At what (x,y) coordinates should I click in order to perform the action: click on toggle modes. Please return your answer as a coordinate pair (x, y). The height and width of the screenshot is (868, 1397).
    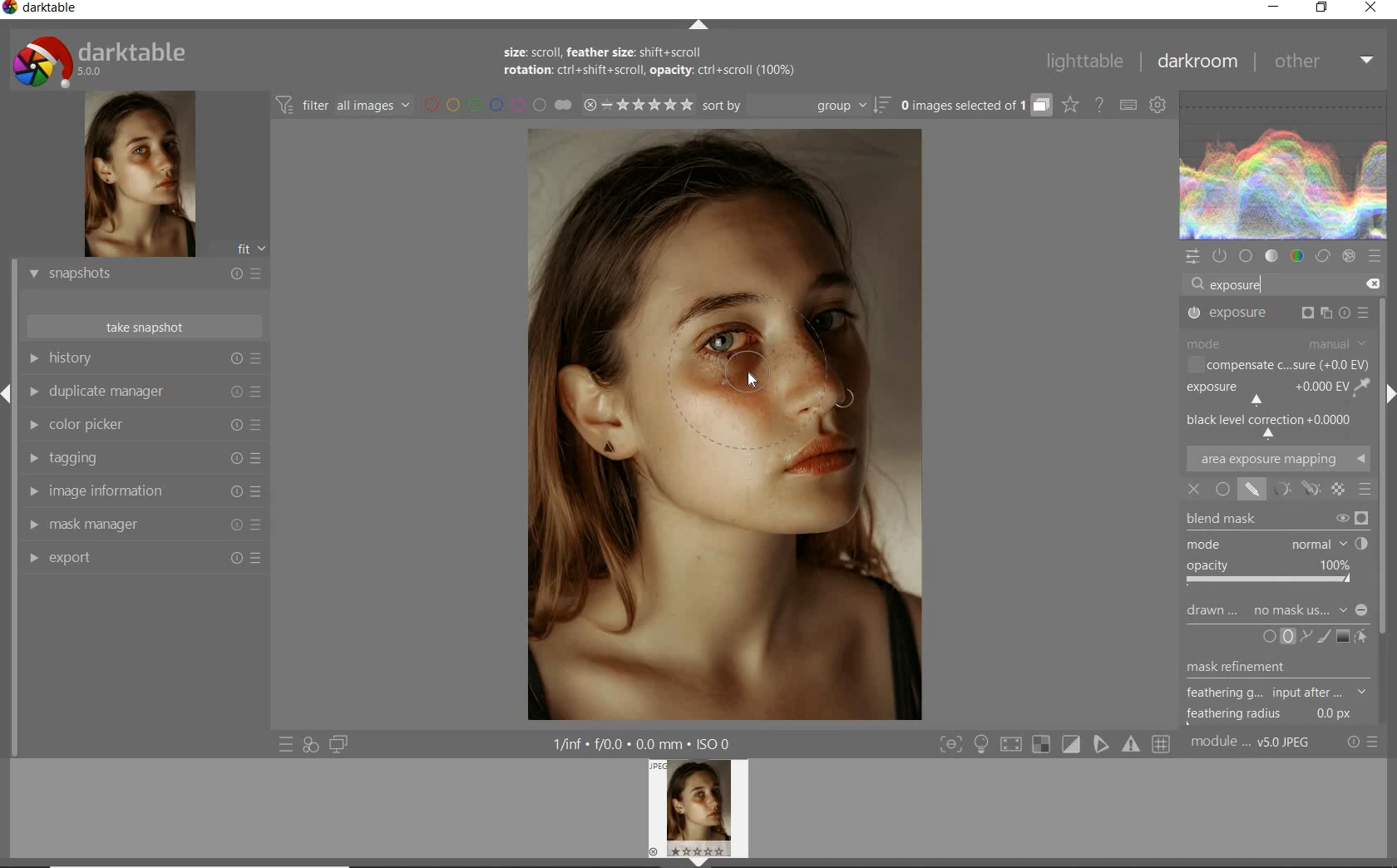
    Looking at the image, I should click on (1055, 746).